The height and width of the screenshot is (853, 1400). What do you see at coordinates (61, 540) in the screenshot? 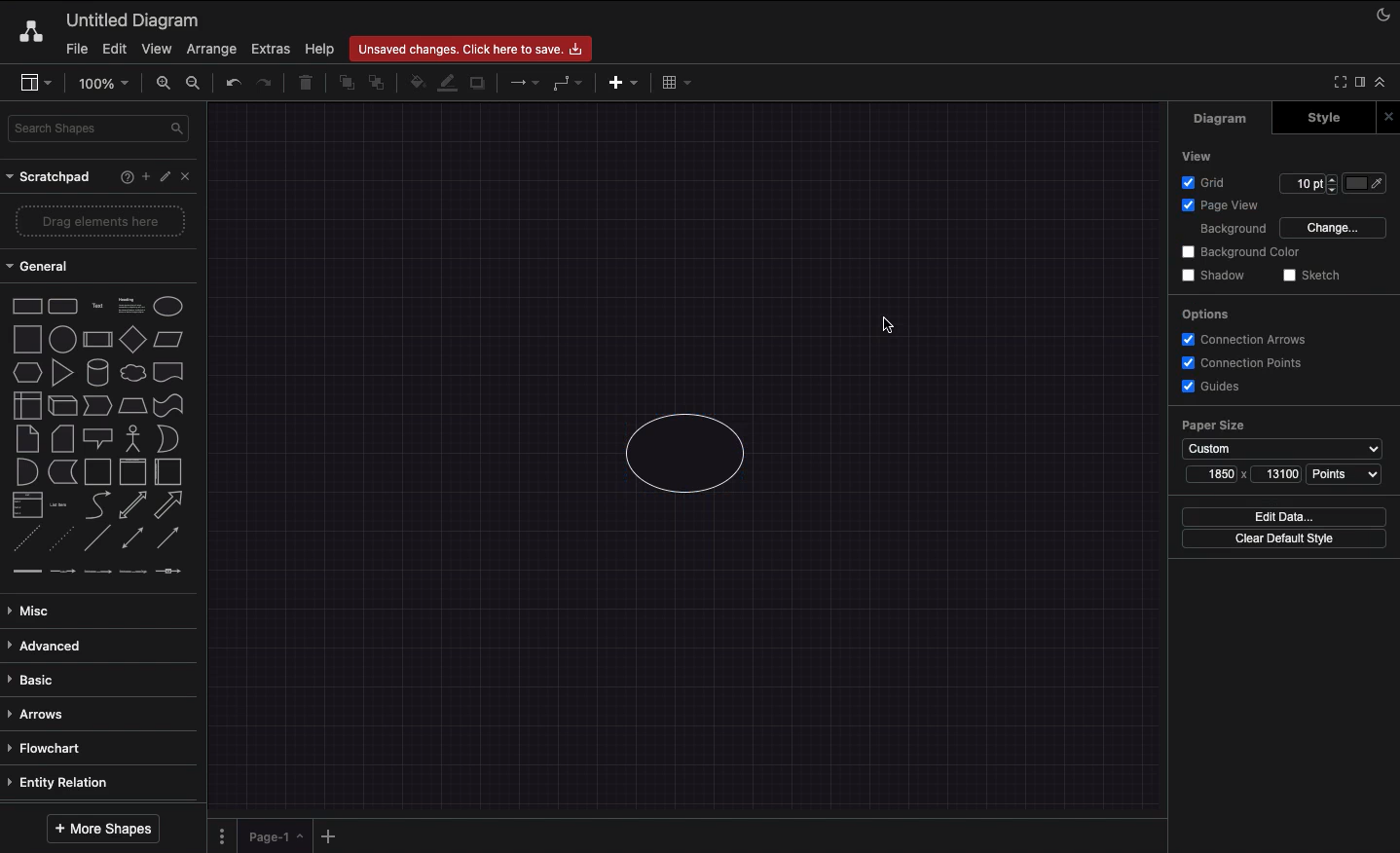
I see `Dotted line` at bounding box center [61, 540].